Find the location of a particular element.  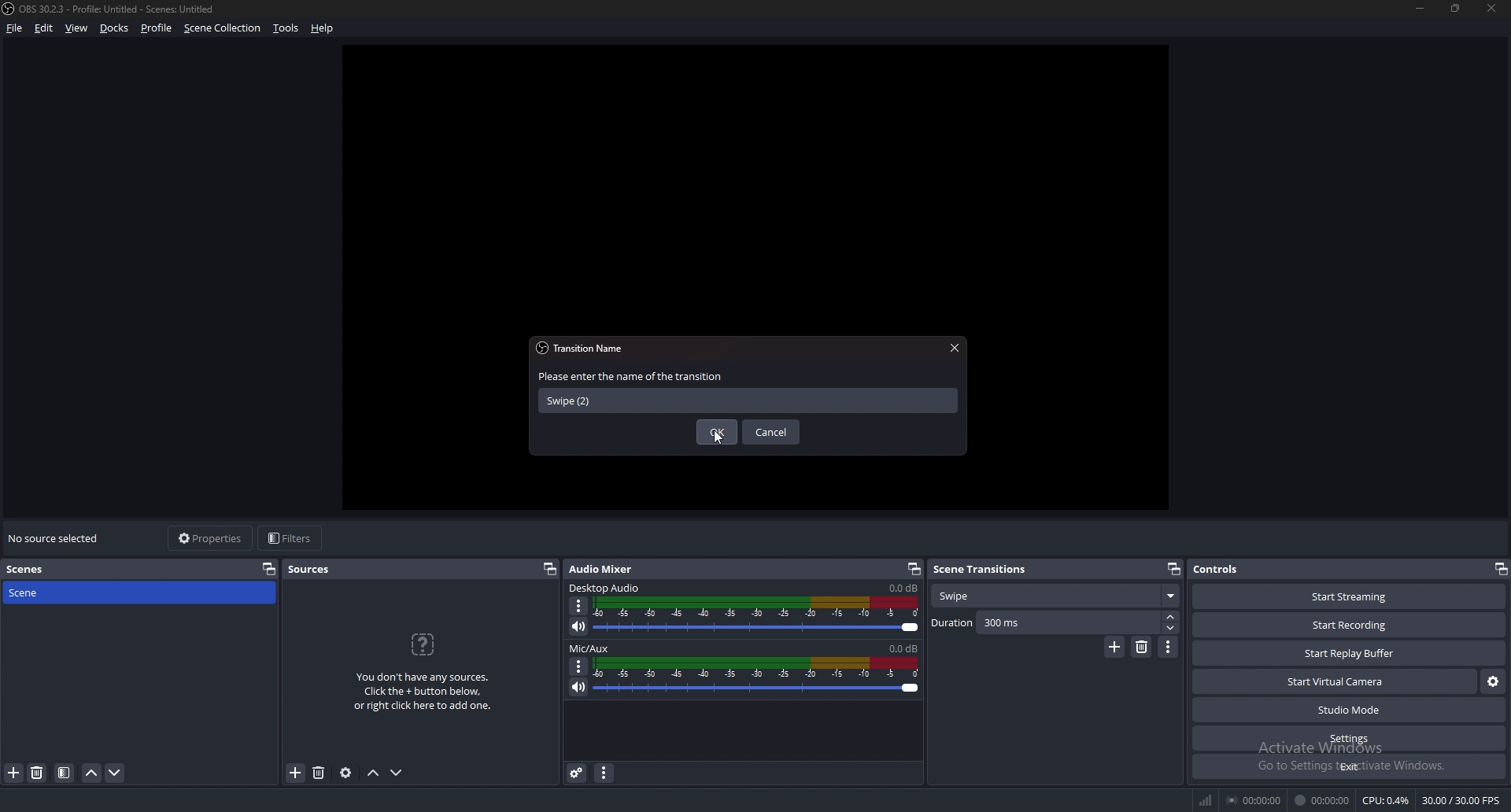

audio mixer is located at coordinates (605, 570).